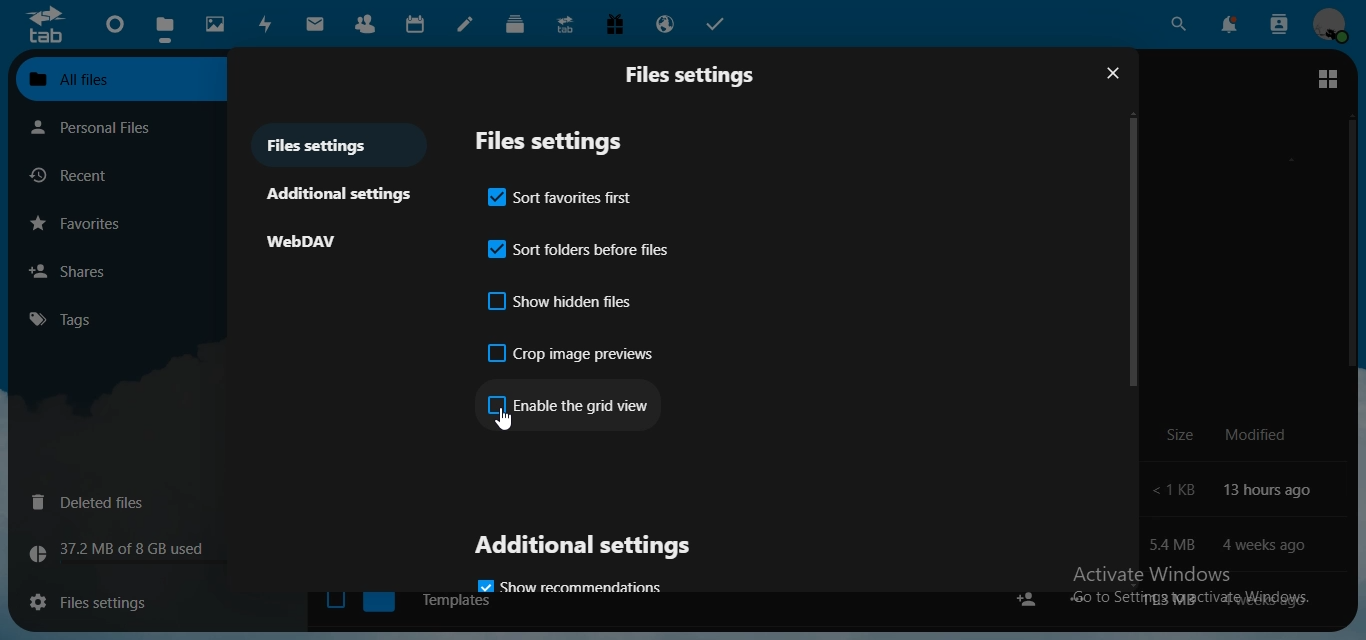 This screenshot has width=1366, height=640. Describe the element at coordinates (415, 23) in the screenshot. I see `calendar` at that location.